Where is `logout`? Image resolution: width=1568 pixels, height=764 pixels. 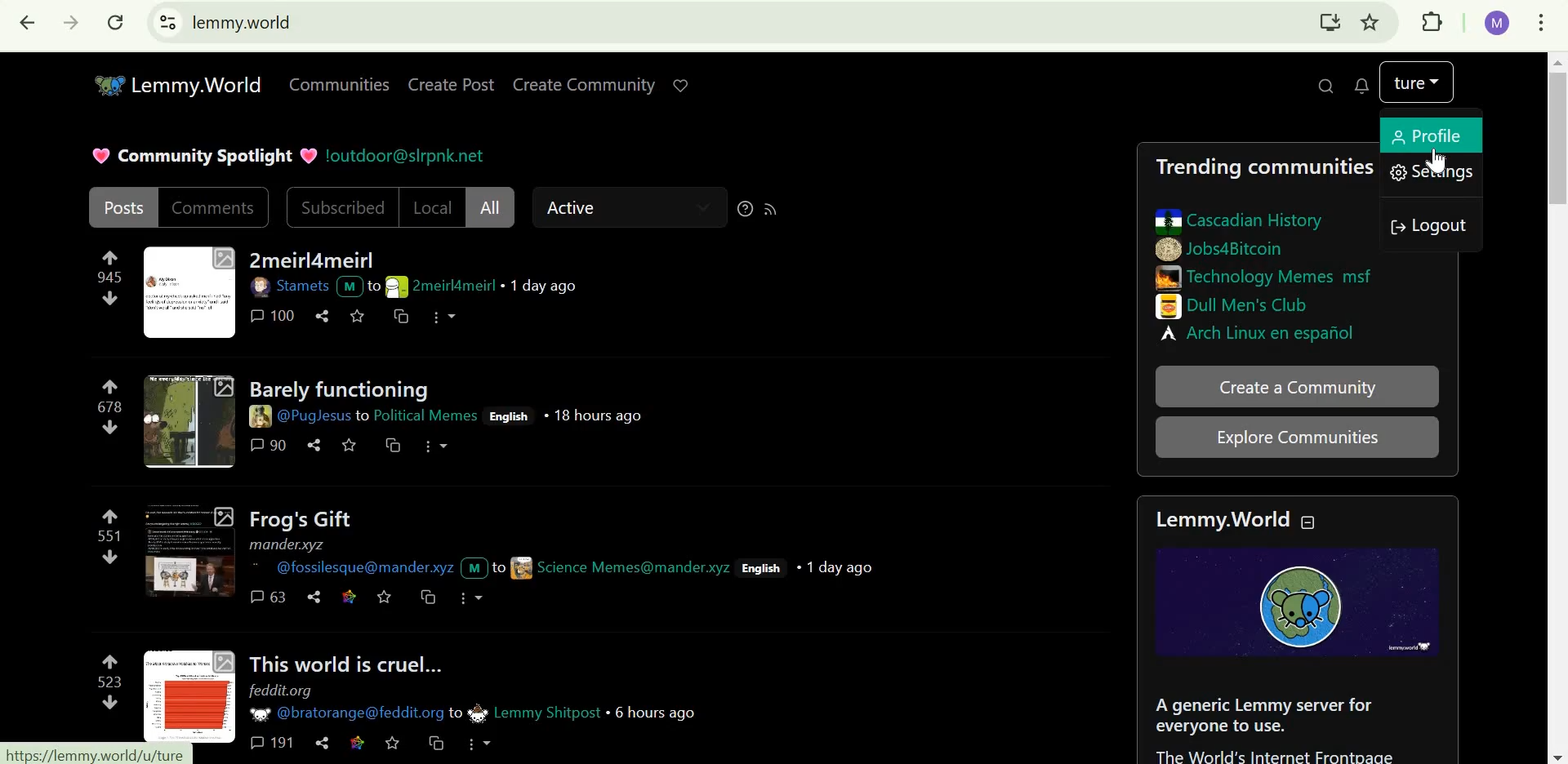
logout is located at coordinates (1429, 224).